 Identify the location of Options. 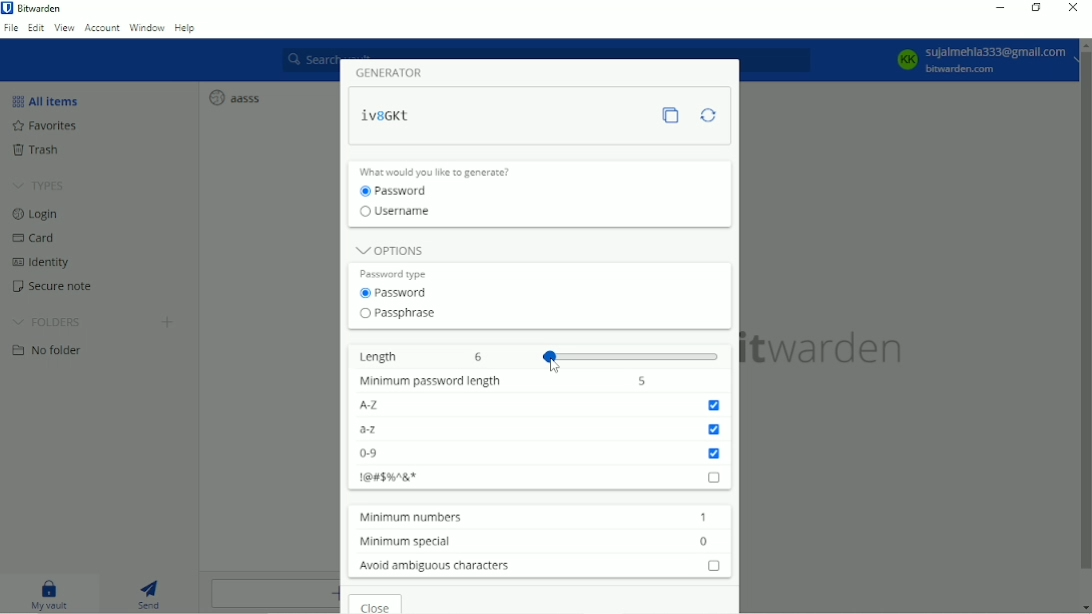
(389, 248).